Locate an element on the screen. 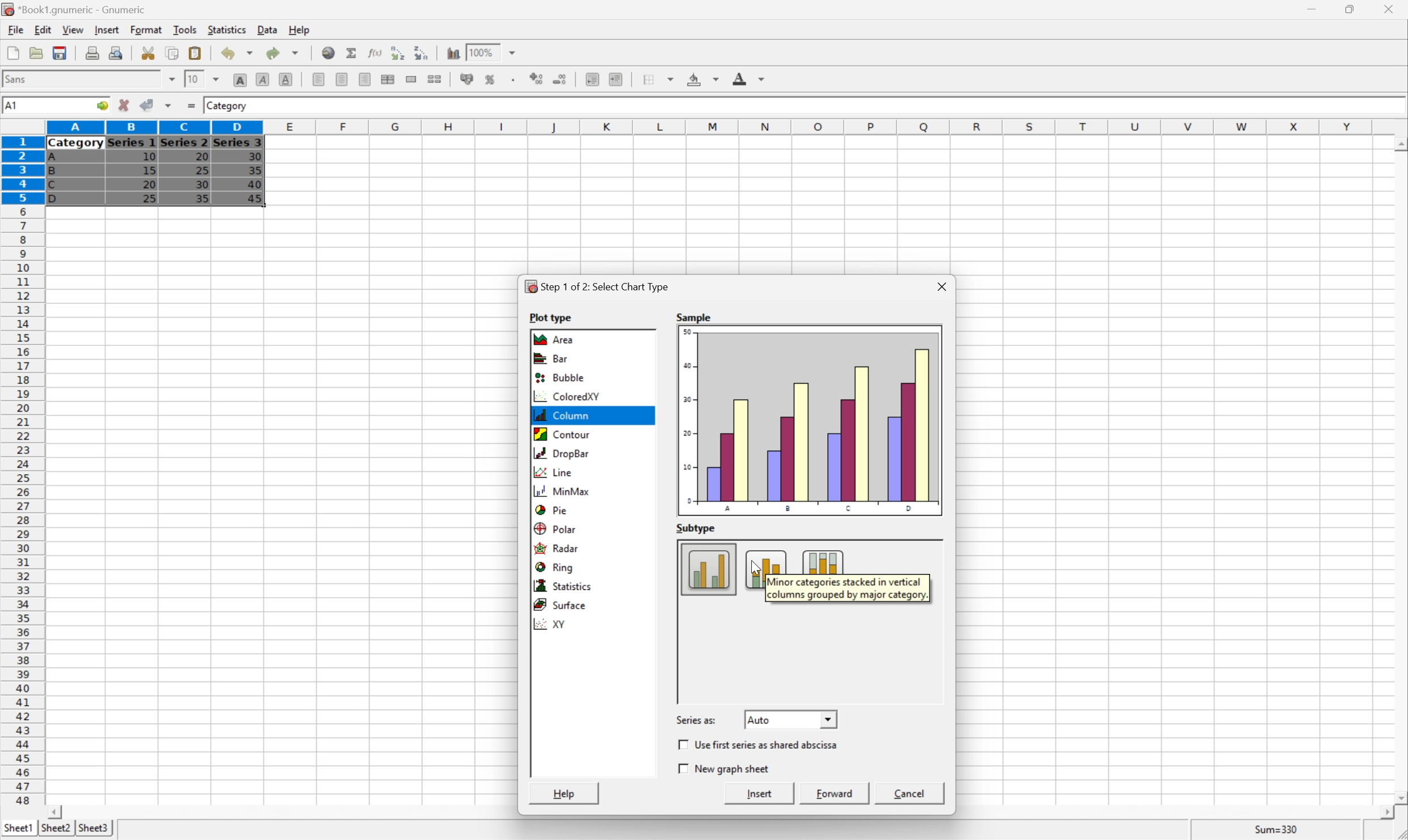 The width and height of the screenshot is (1408, 840). 15 is located at coordinates (149, 170).